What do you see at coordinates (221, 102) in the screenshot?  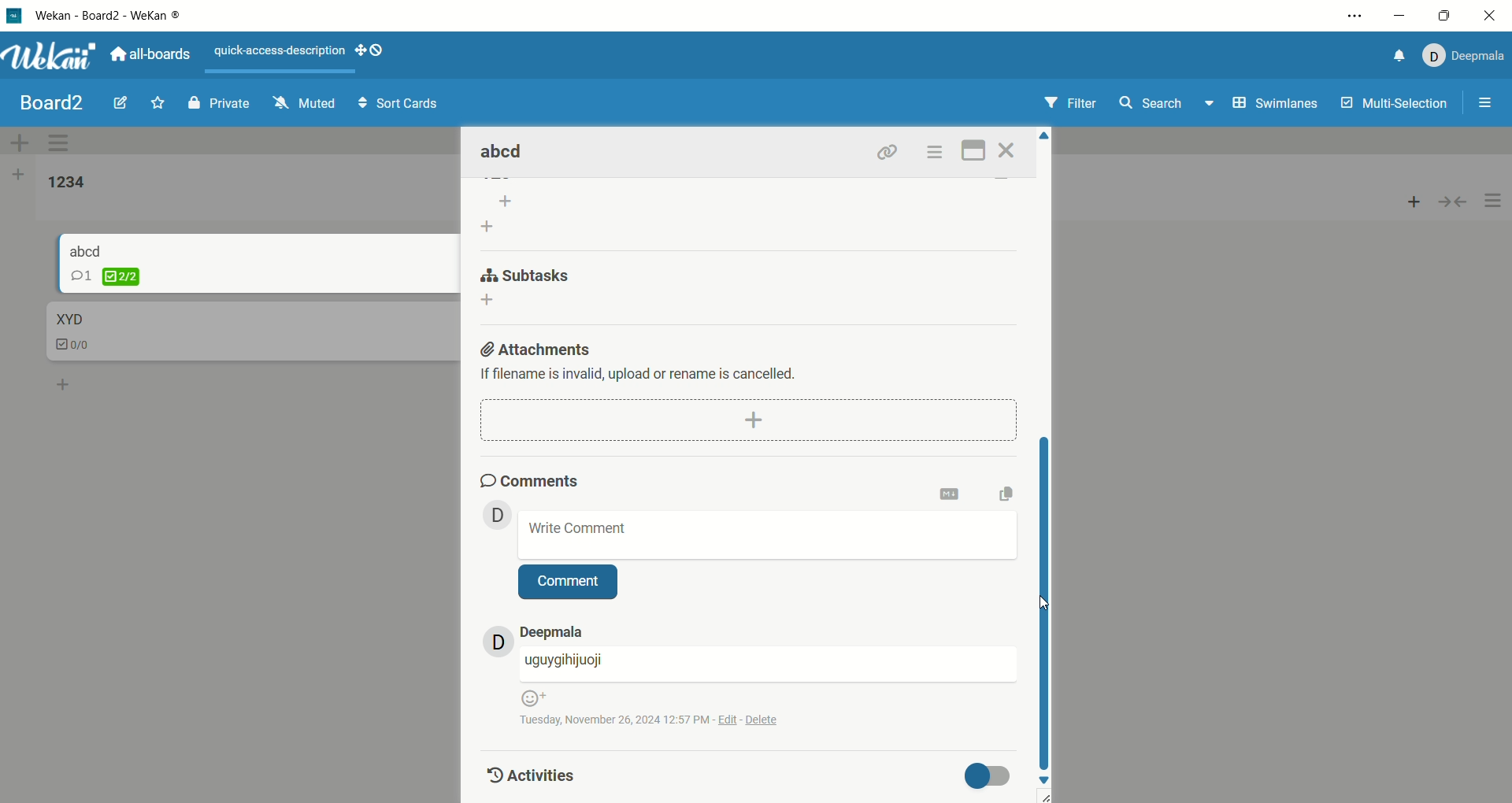 I see `private` at bounding box center [221, 102].